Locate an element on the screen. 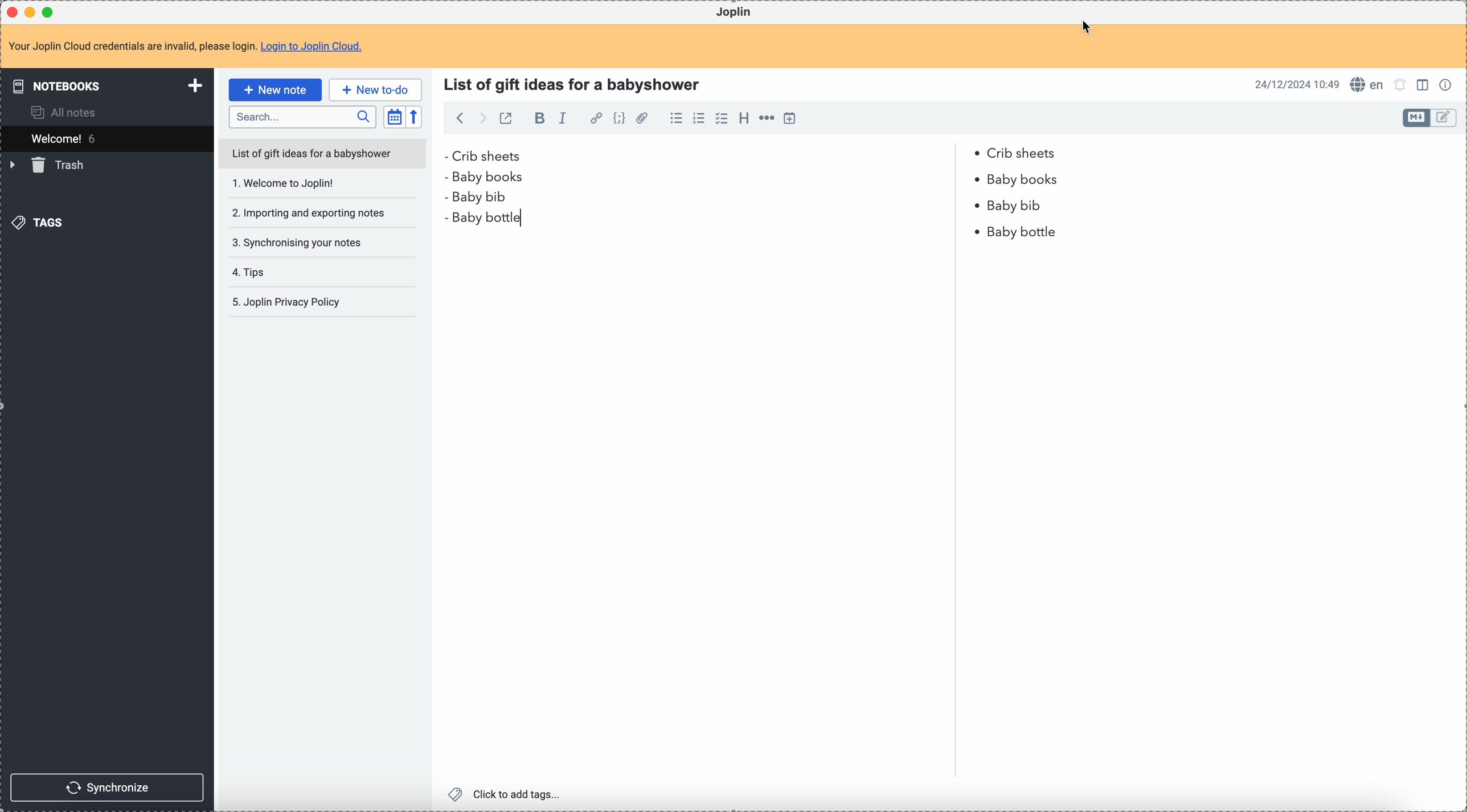 The height and width of the screenshot is (812, 1467). hyperlink is located at coordinates (596, 119).